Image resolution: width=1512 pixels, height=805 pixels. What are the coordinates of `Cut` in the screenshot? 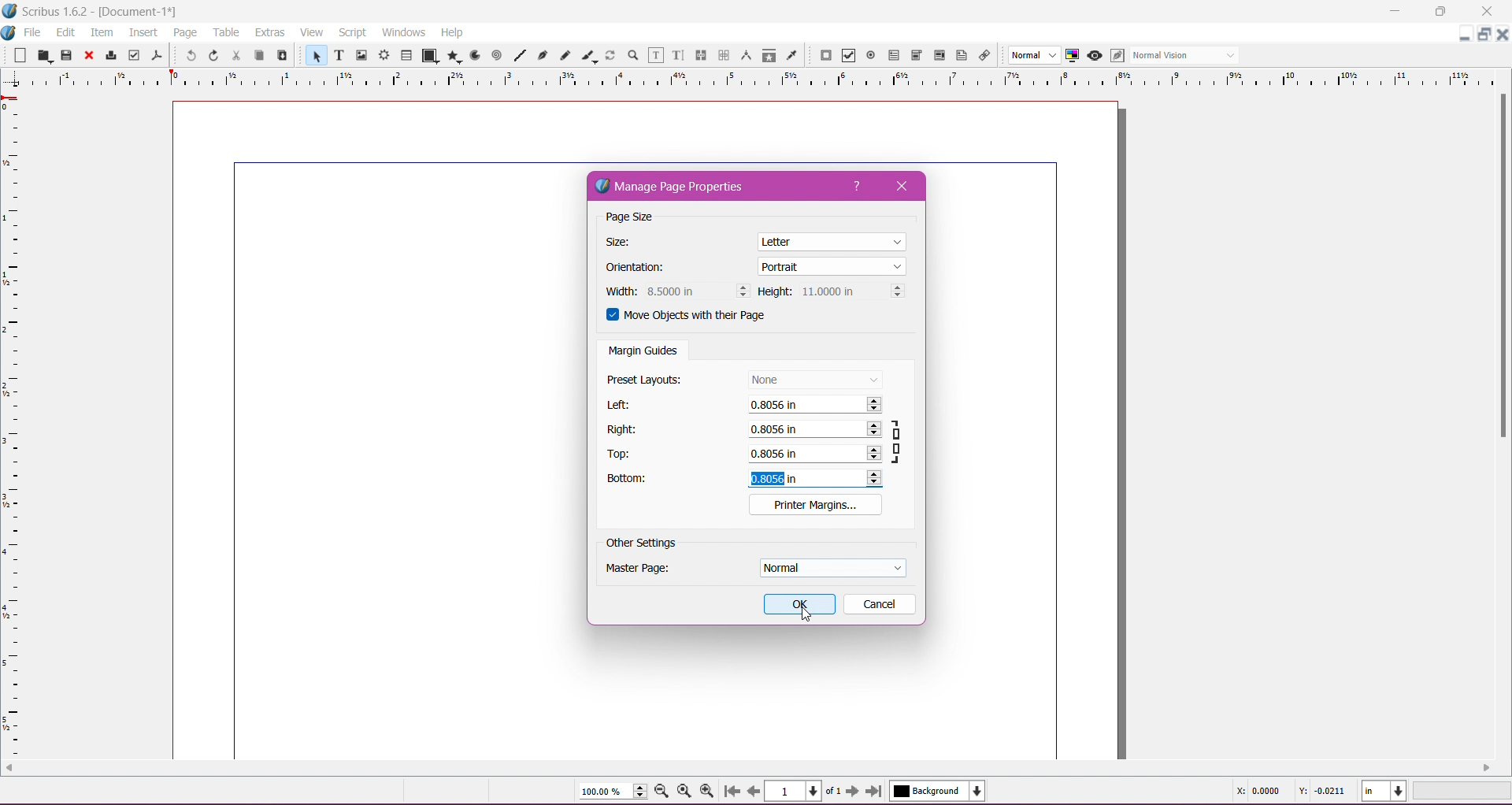 It's located at (235, 56).